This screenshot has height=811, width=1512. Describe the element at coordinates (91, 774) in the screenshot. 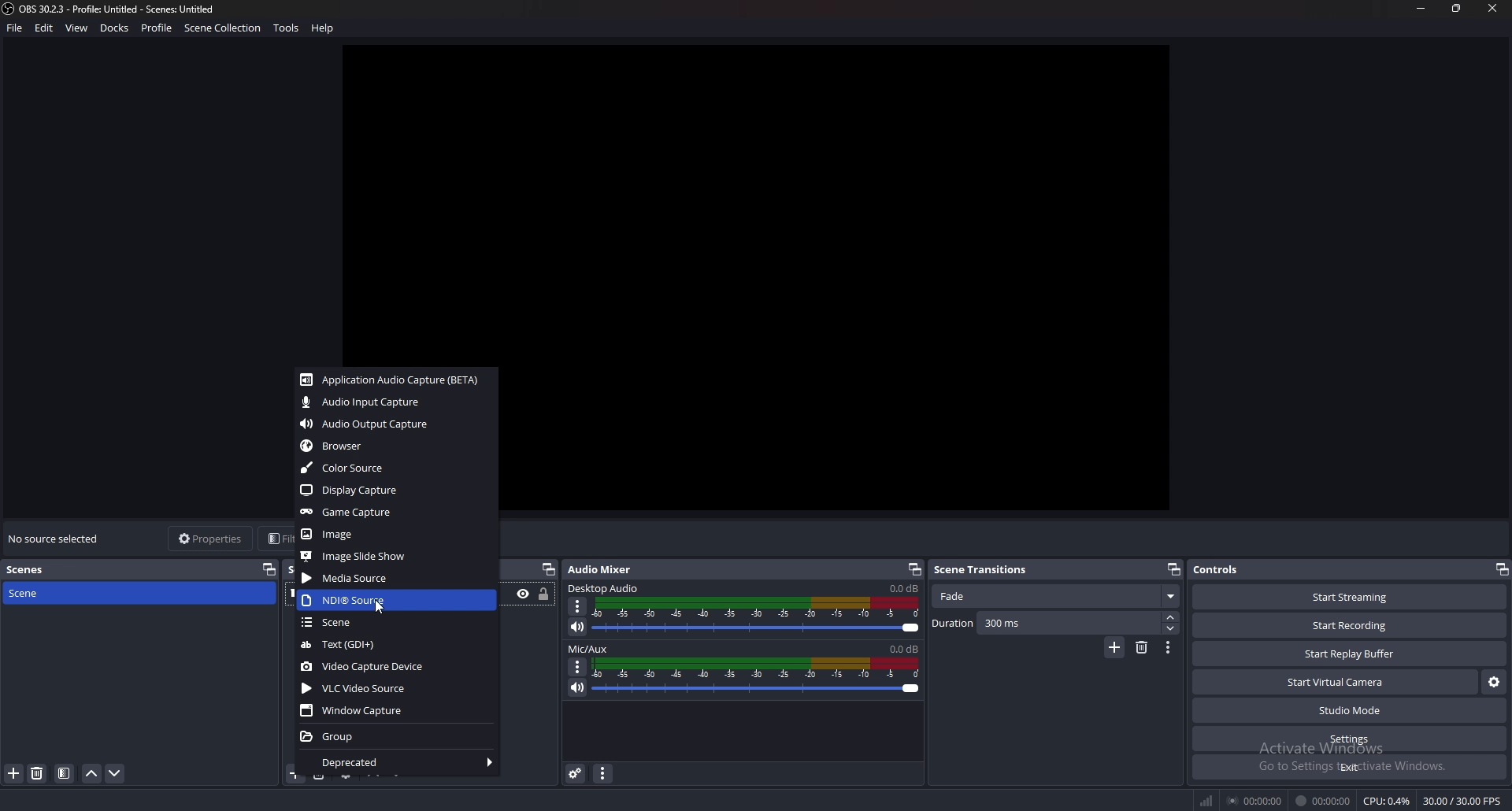

I see `move scene up` at that location.